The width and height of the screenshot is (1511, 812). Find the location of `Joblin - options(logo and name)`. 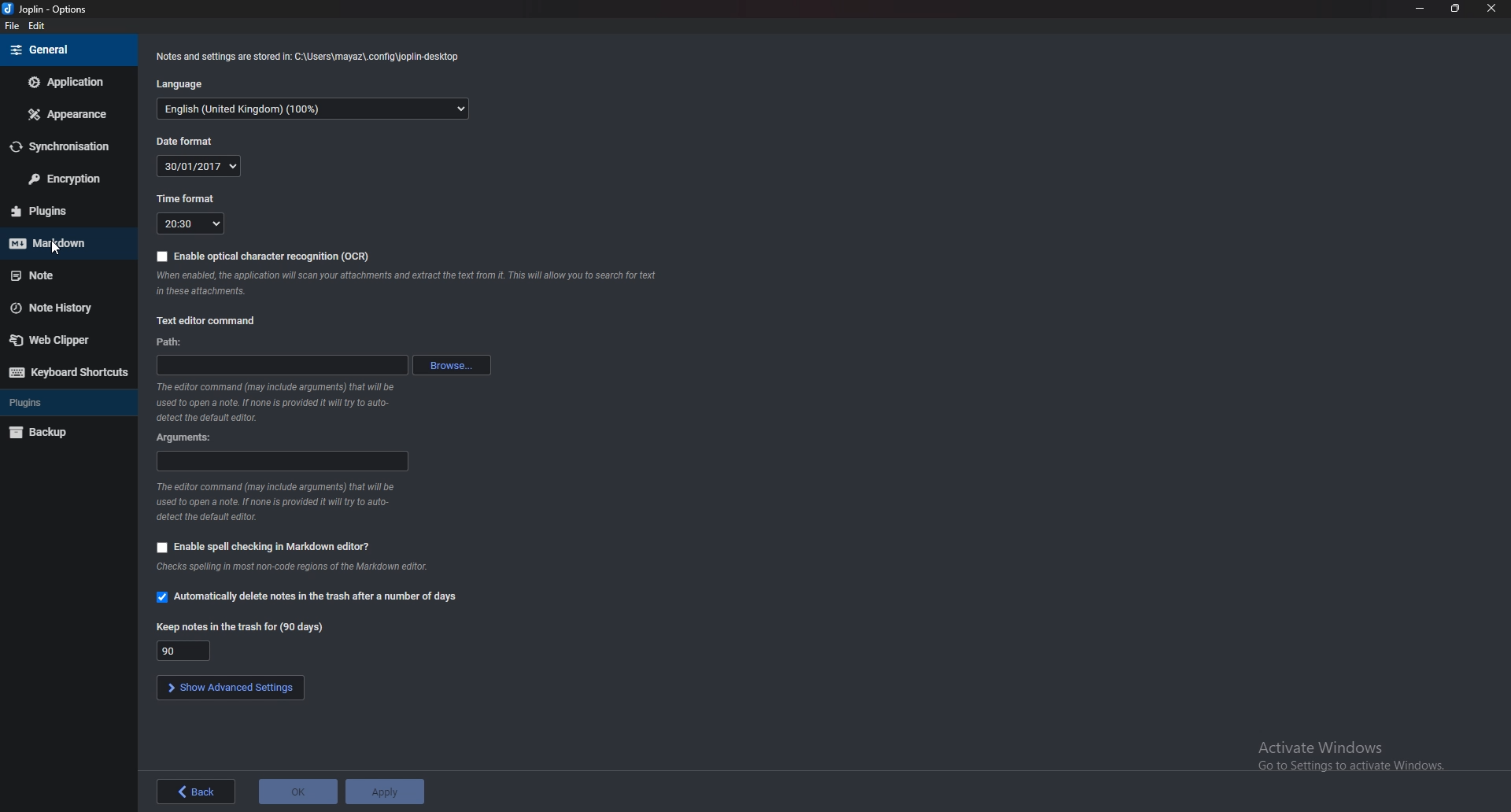

Joblin - options(logo and name) is located at coordinates (49, 10).